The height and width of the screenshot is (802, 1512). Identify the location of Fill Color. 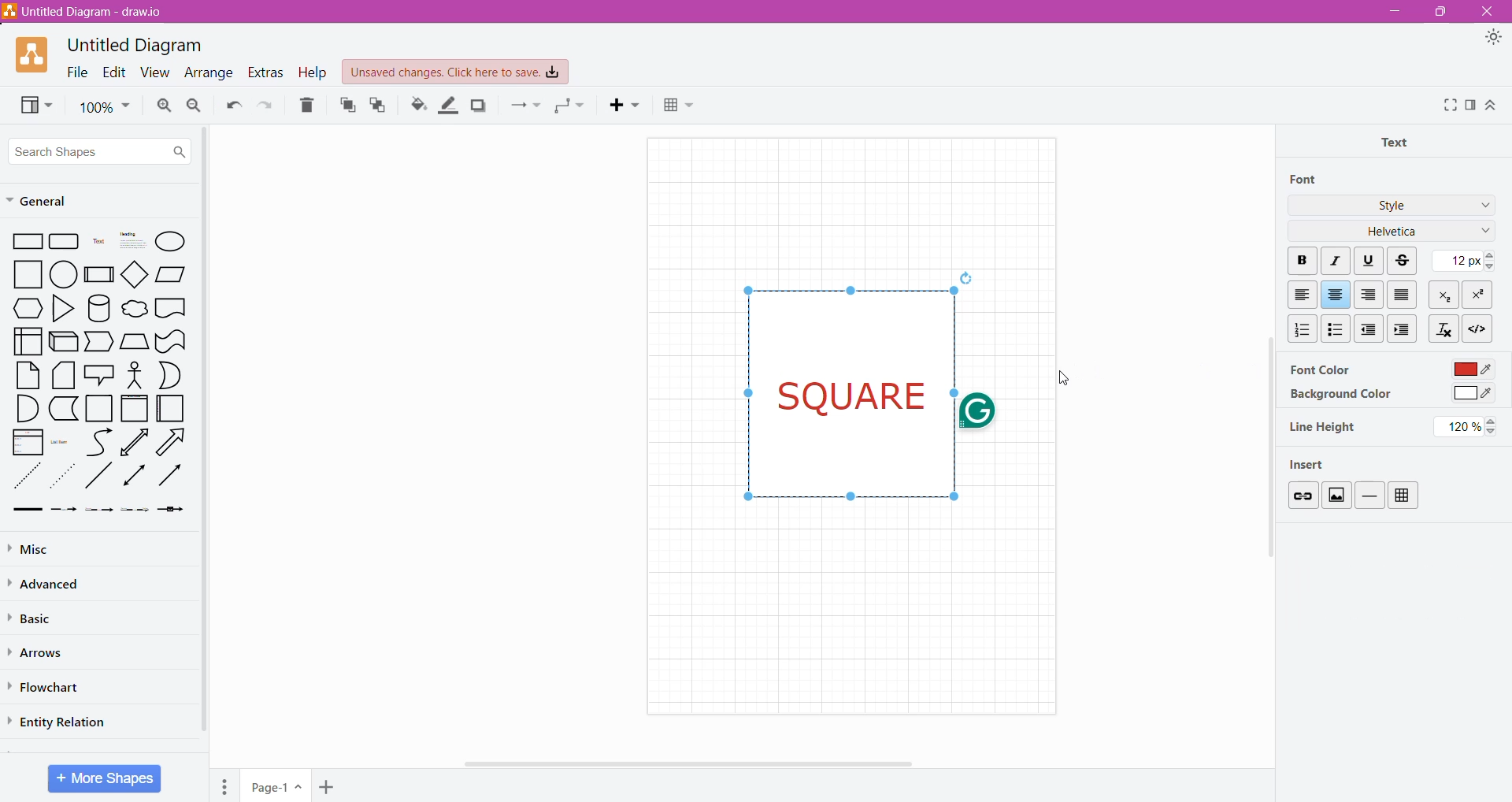
(417, 105).